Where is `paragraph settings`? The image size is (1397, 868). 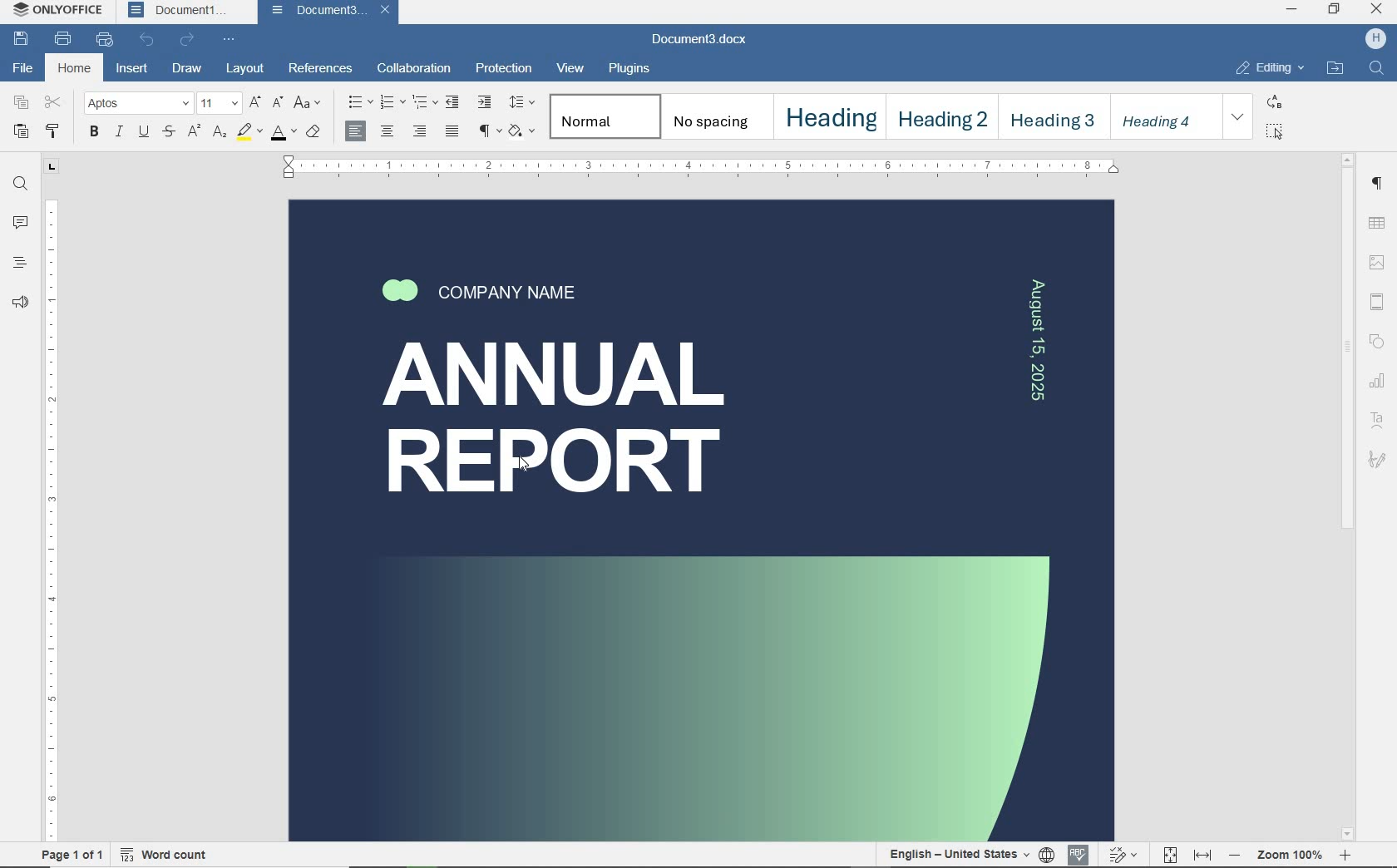 paragraph settings is located at coordinates (1379, 184).